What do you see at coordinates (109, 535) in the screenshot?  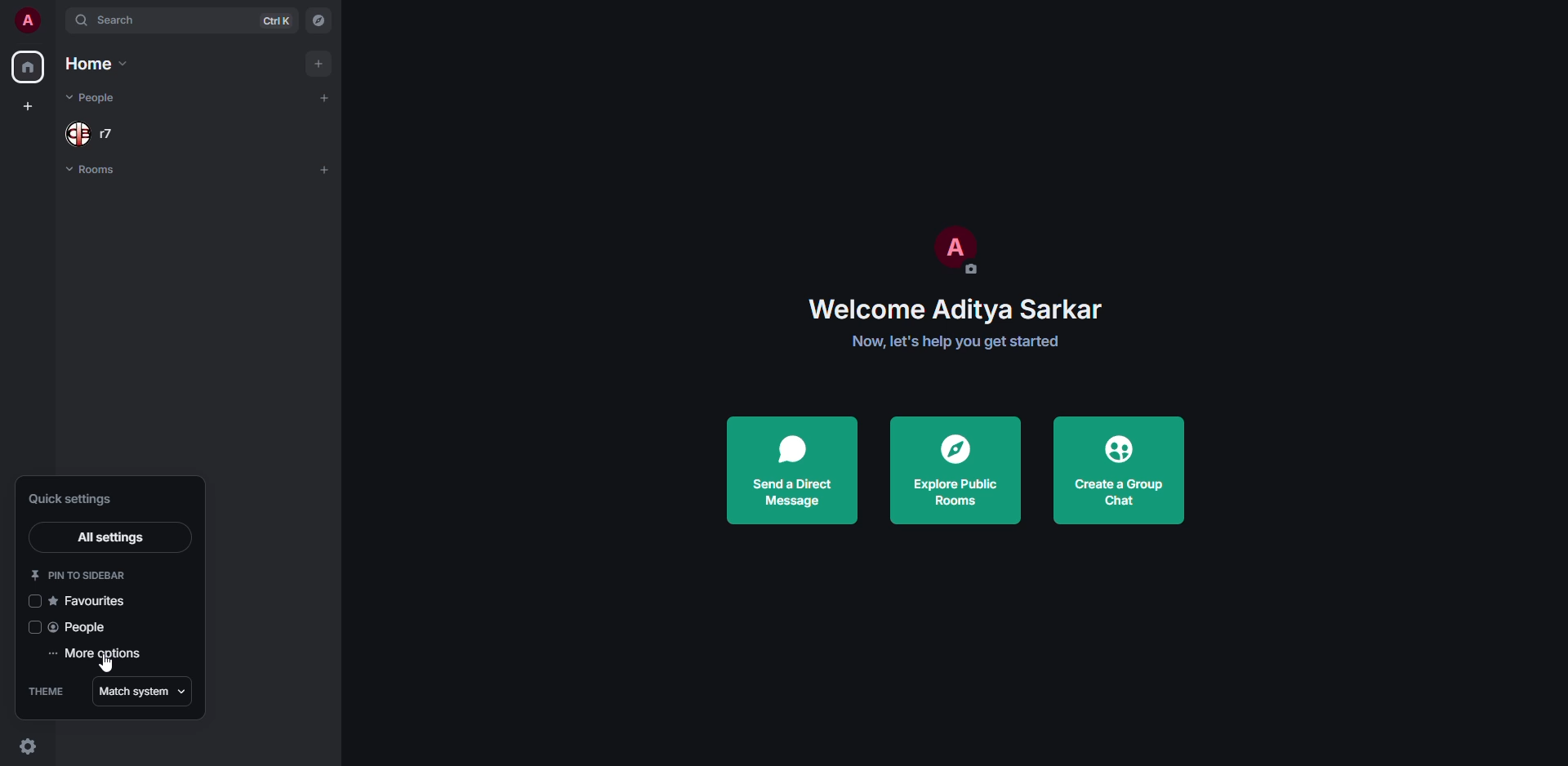 I see `all settings` at bounding box center [109, 535].